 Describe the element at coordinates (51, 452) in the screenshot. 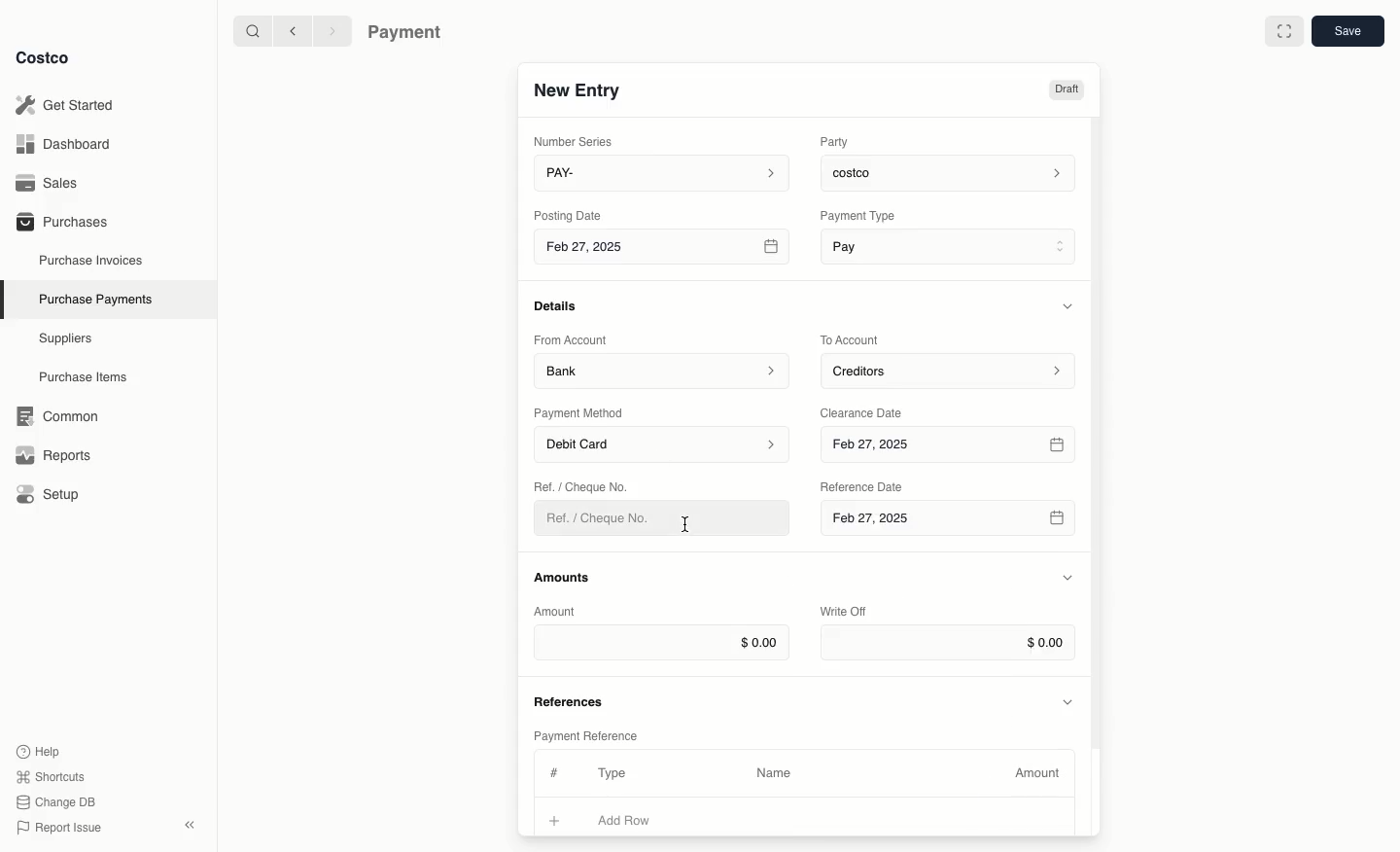

I see `Reports` at that location.